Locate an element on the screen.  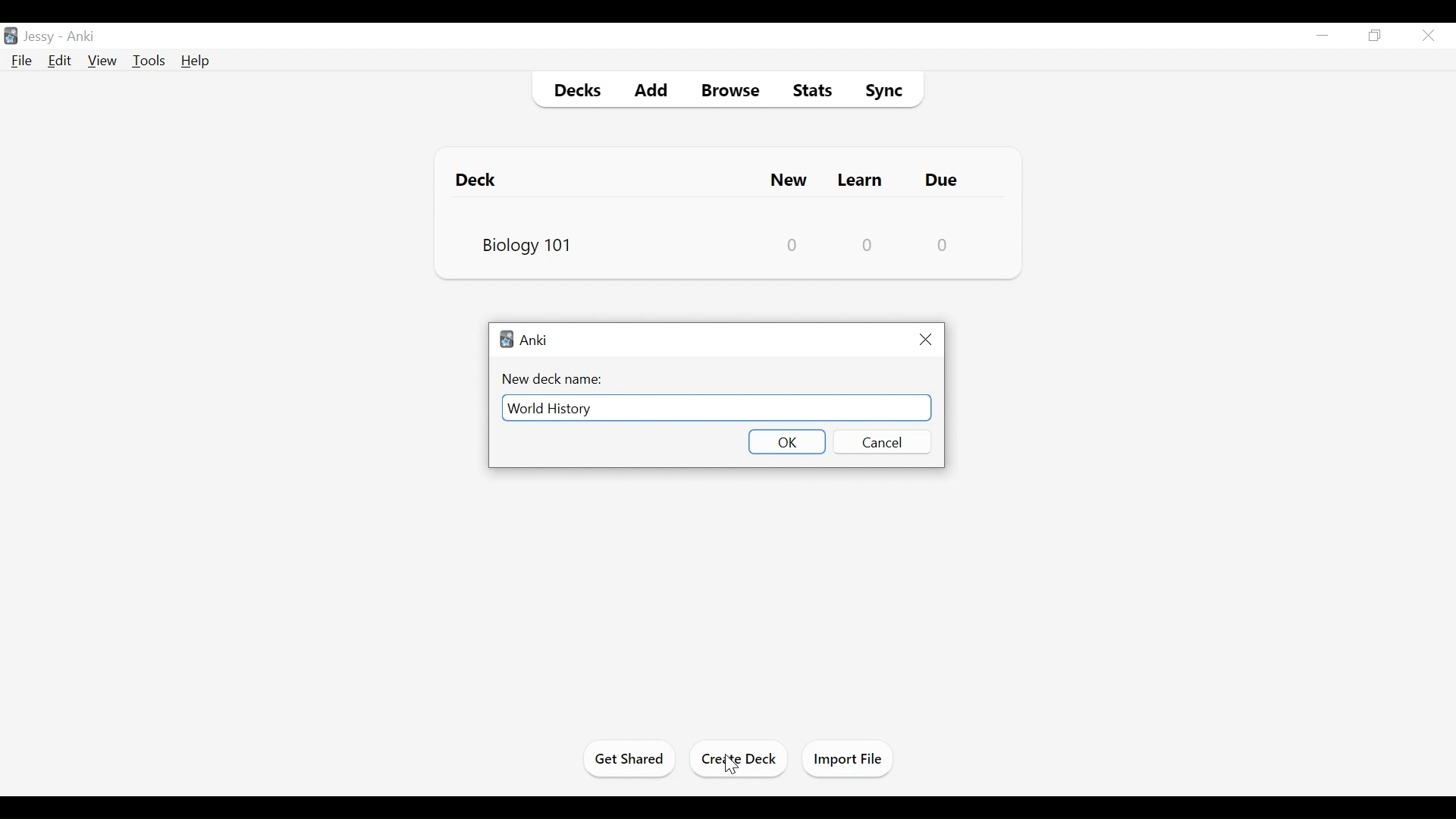
Help is located at coordinates (196, 61).